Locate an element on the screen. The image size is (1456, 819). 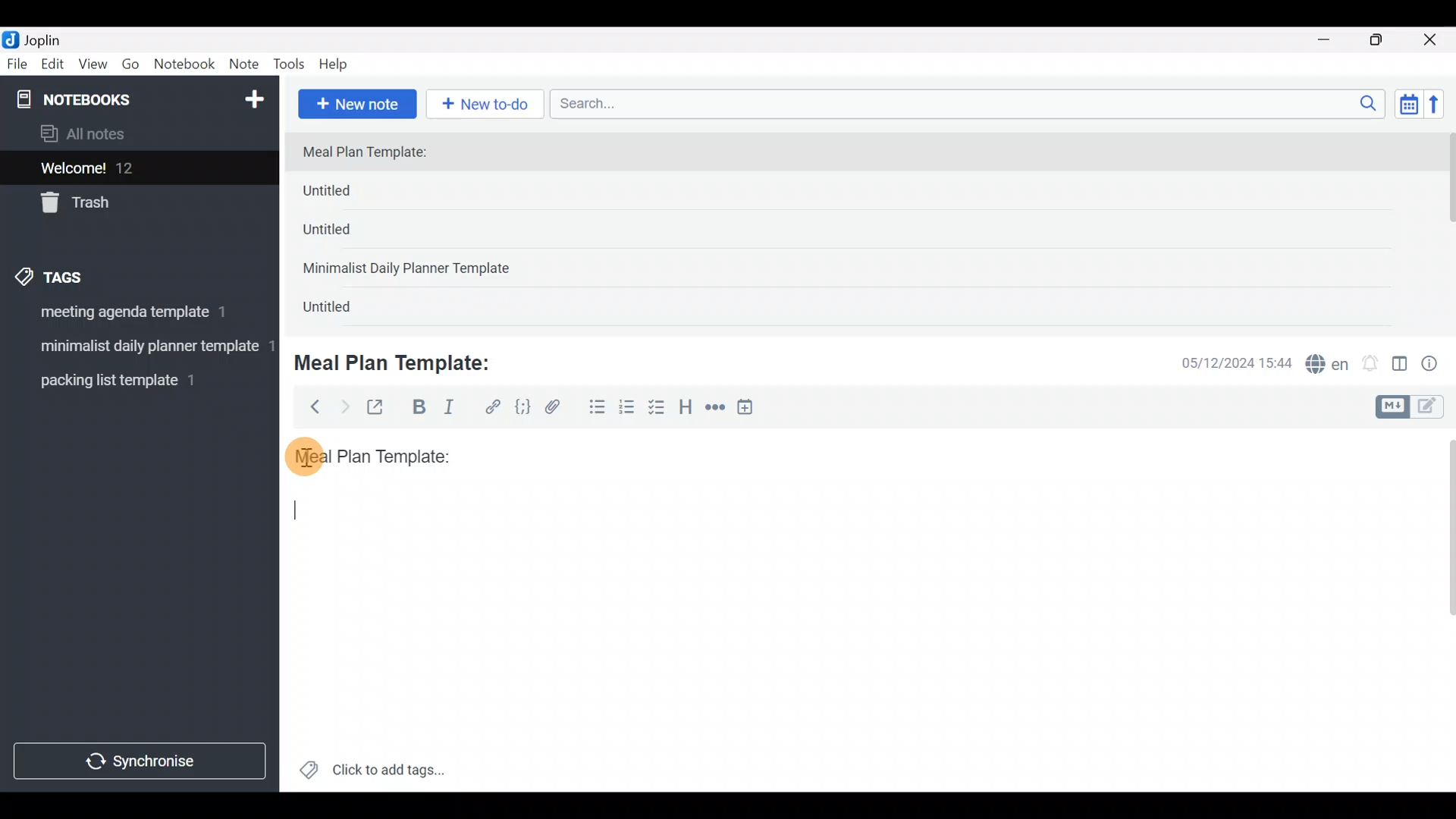
Toggle external editing is located at coordinates (381, 408).